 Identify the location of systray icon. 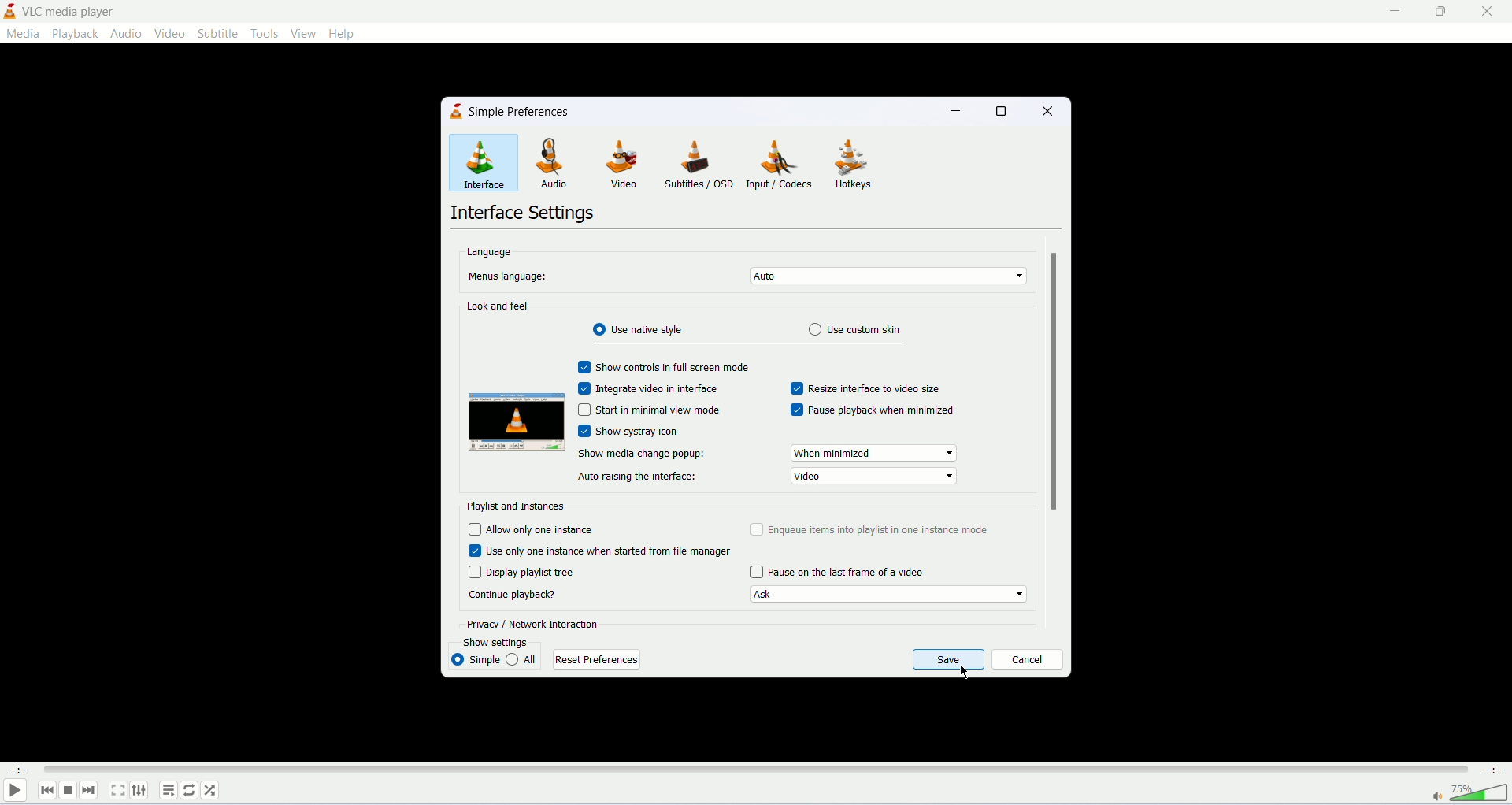
(641, 429).